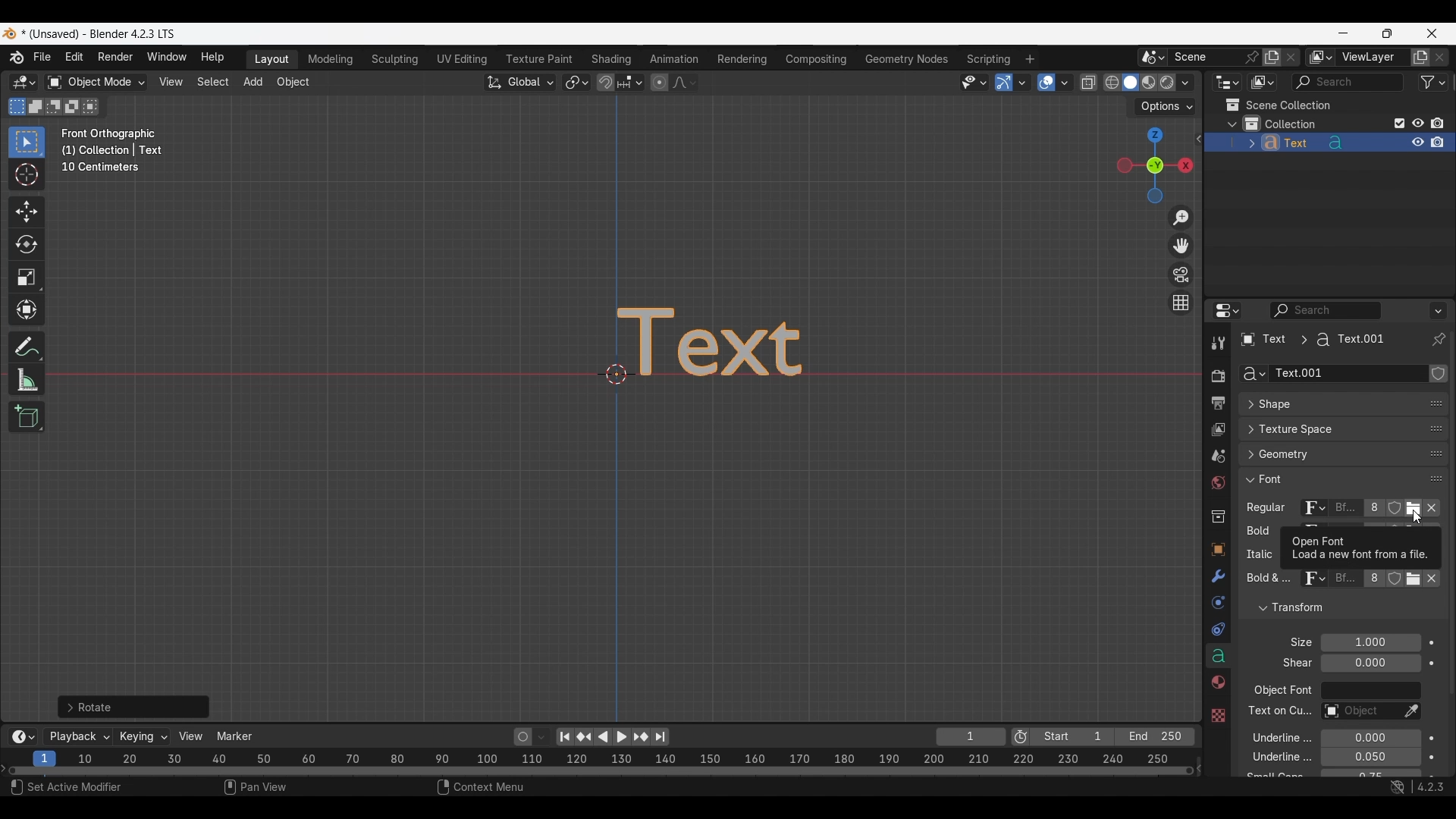 The height and width of the screenshot is (819, 1456). What do you see at coordinates (27, 278) in the screenshot?
I see `Scale` at bounding box center [27, 278].